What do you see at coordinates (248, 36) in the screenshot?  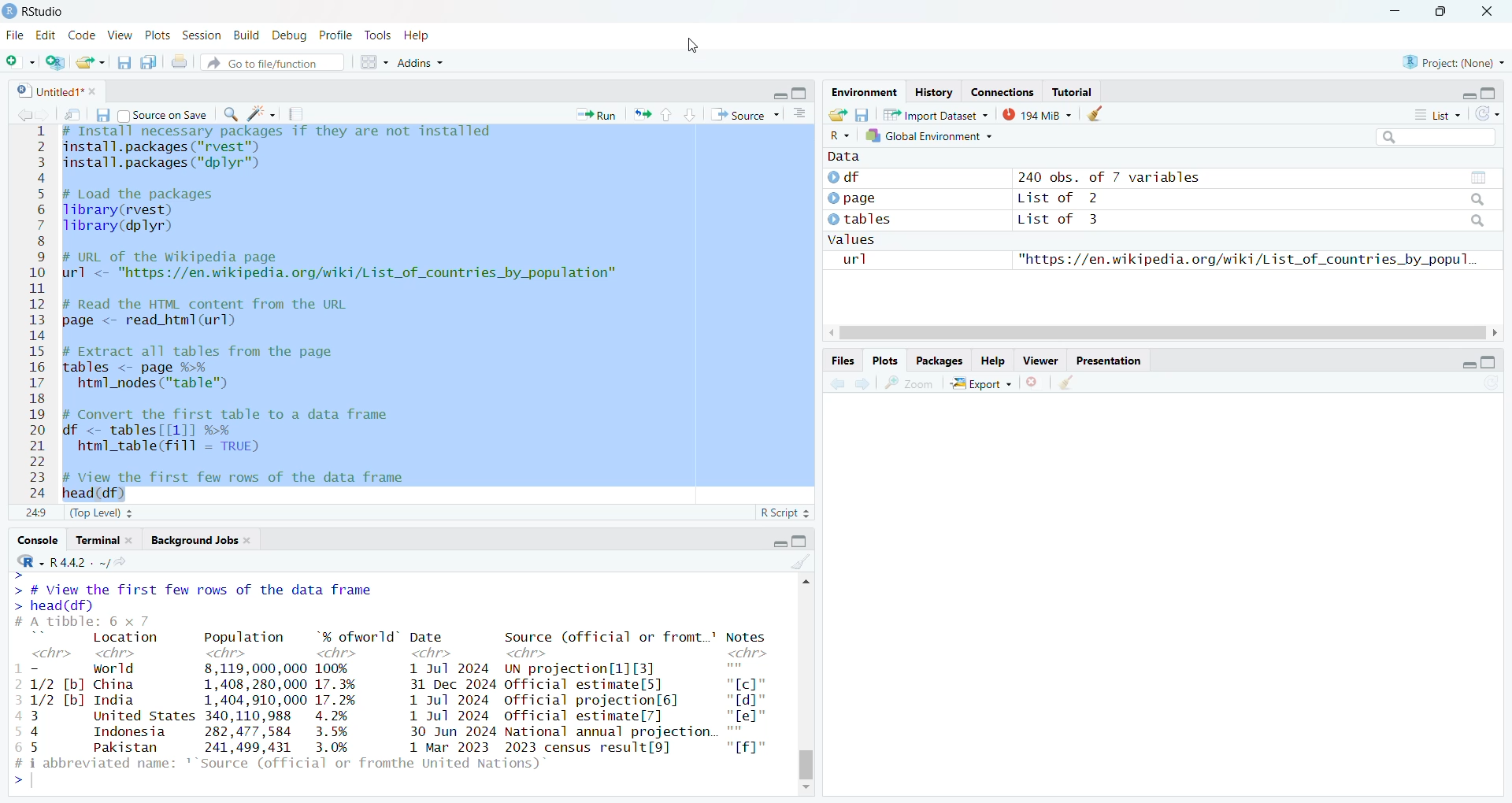 I see `Build` at bounding box center [248, 36].